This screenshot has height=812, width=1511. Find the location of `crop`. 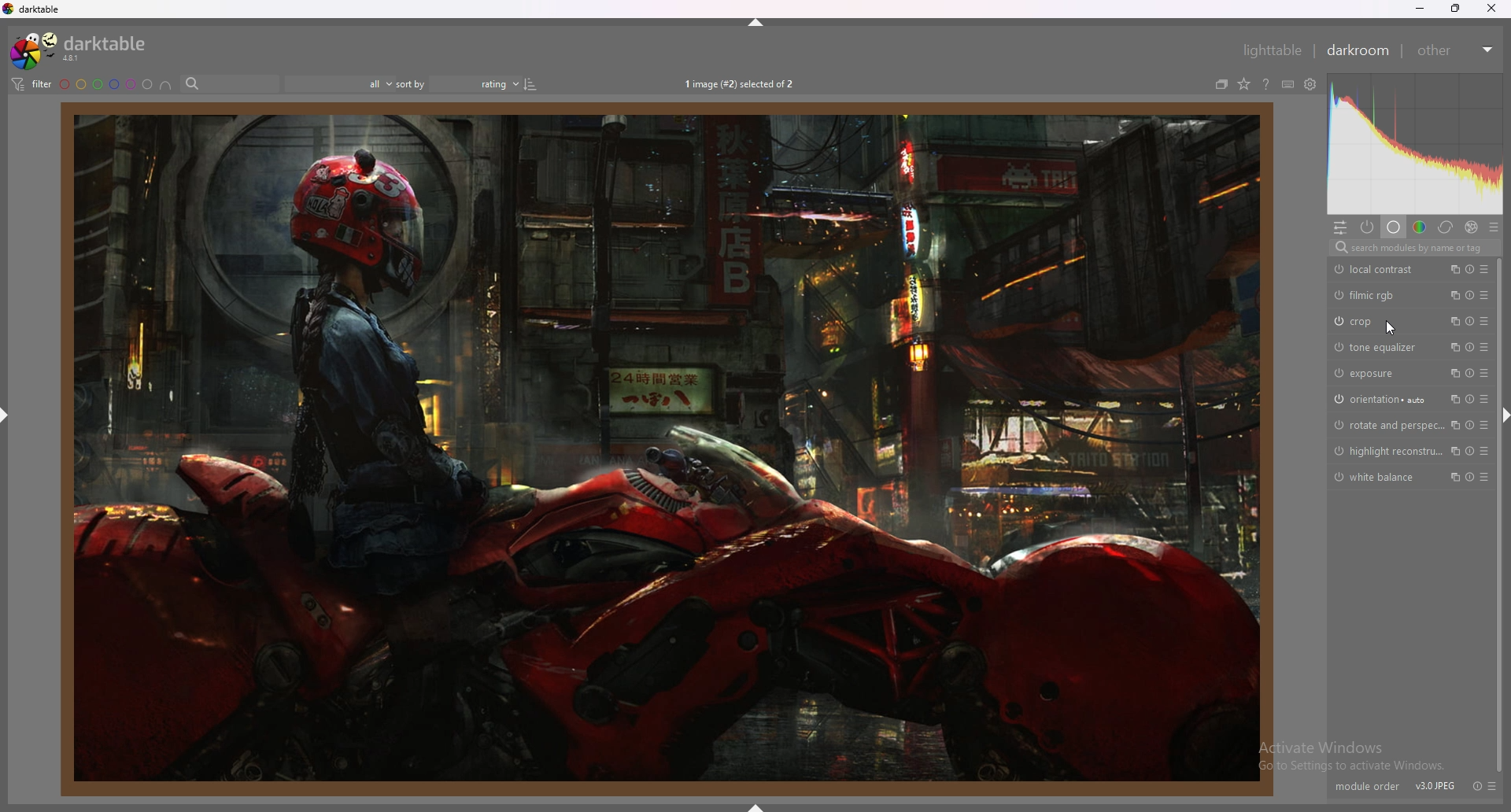

crop is located at coordinates (1379, 322).